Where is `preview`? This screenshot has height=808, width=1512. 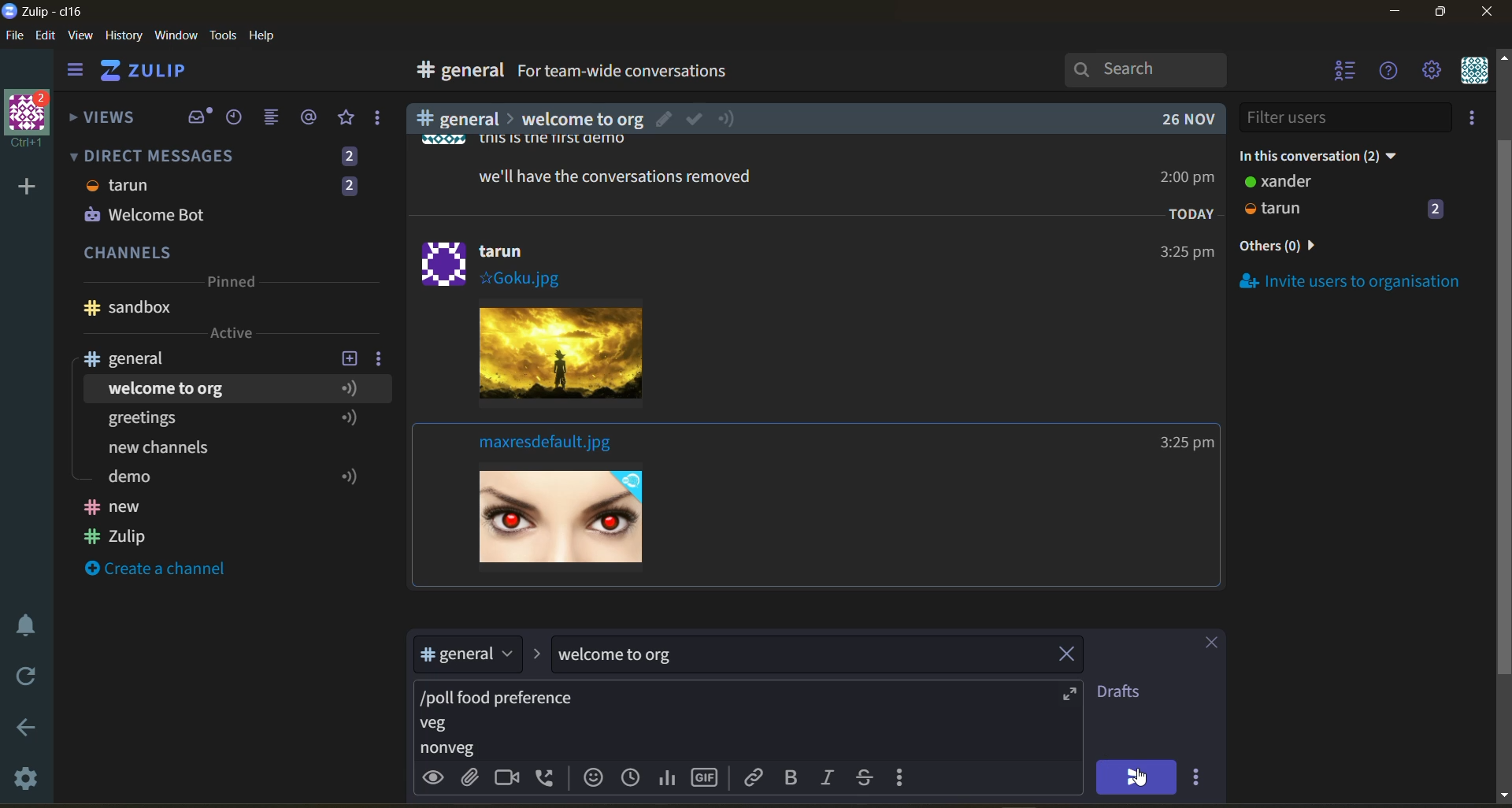 preview is located at coordinates (437, 776).